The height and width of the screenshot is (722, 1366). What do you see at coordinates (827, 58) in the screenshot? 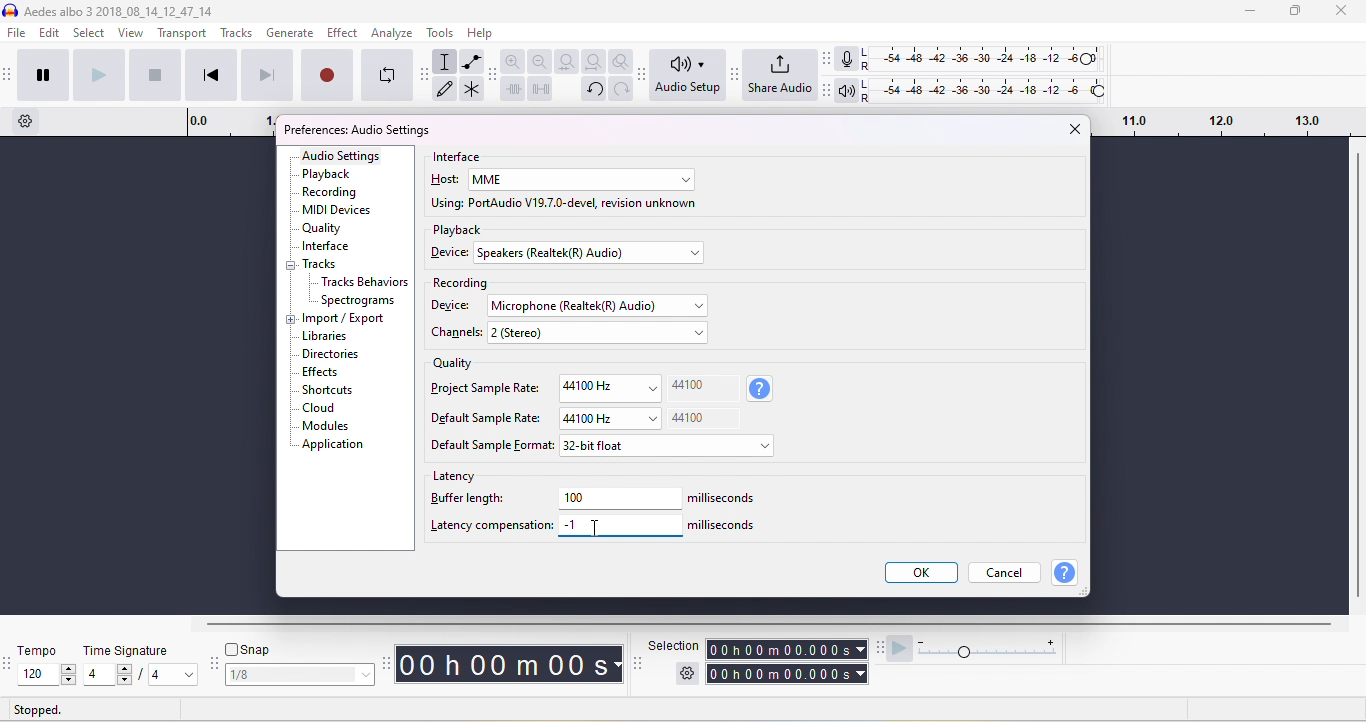
I see `audacity audio meter toolbar` at bounding box center [827, 58].